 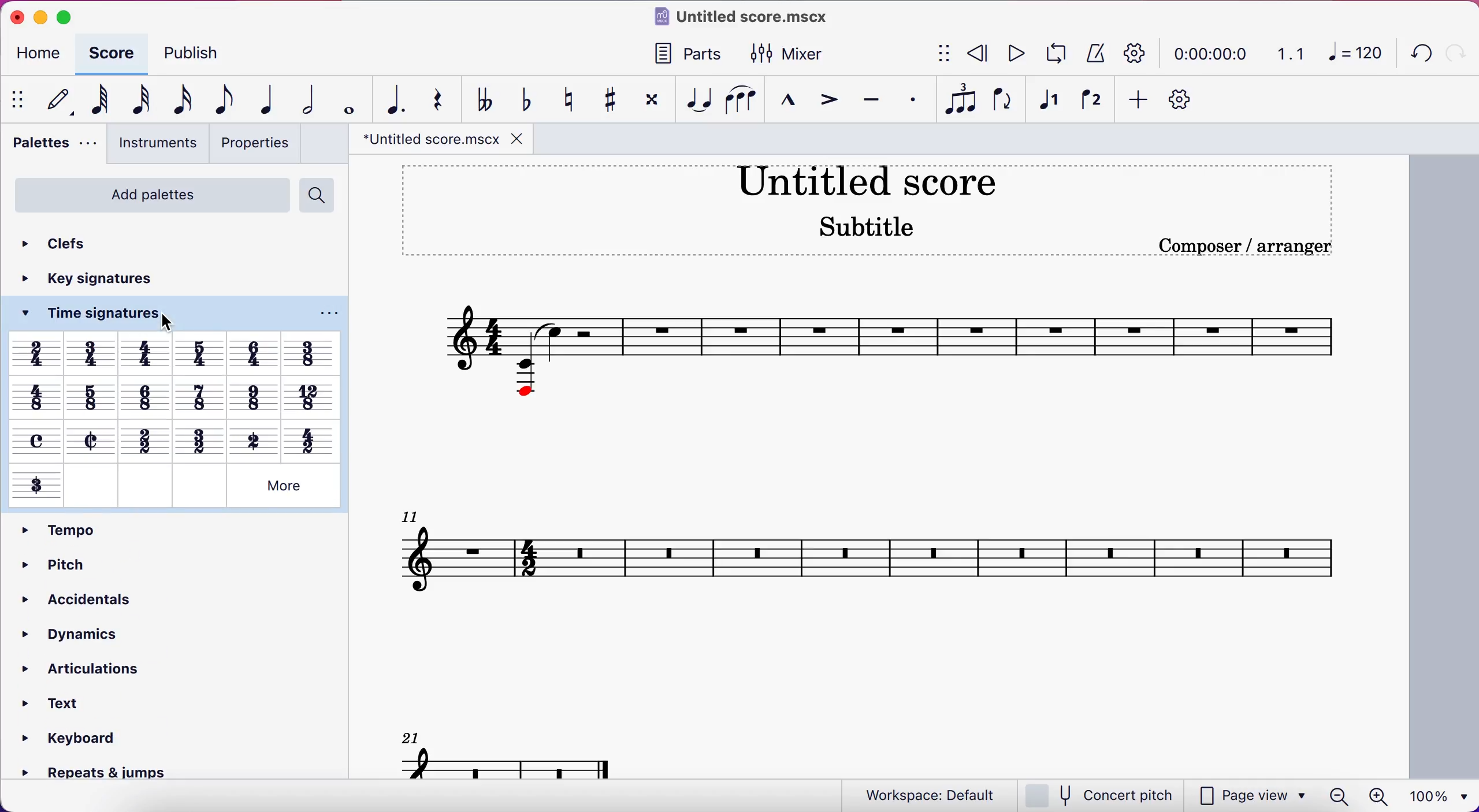 I want to click on double flat, so click(x=519, y=98).